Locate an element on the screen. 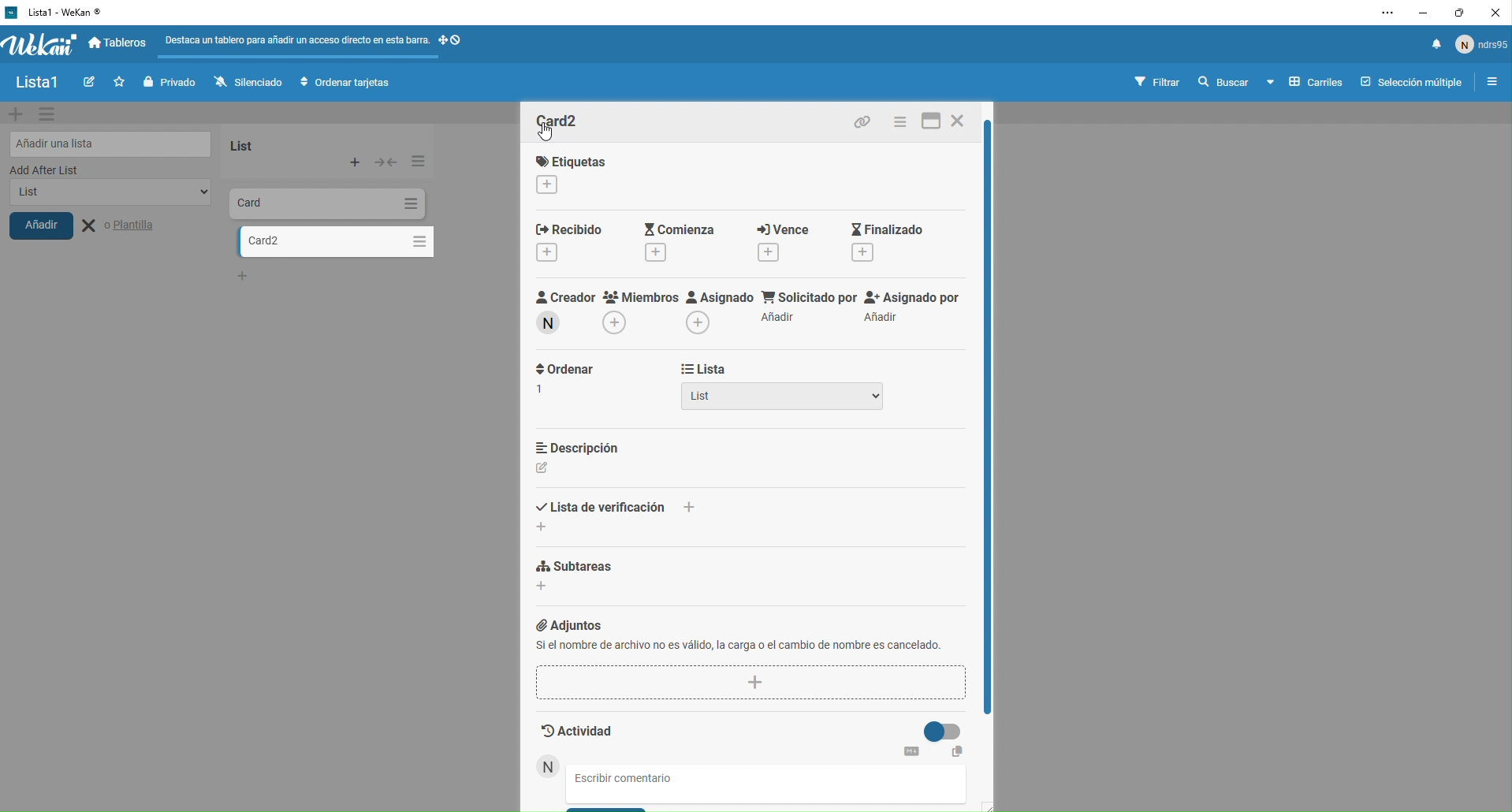 The width and height of the screenshot is (1512, 812). Comienza is located at coordinates (676, 244).